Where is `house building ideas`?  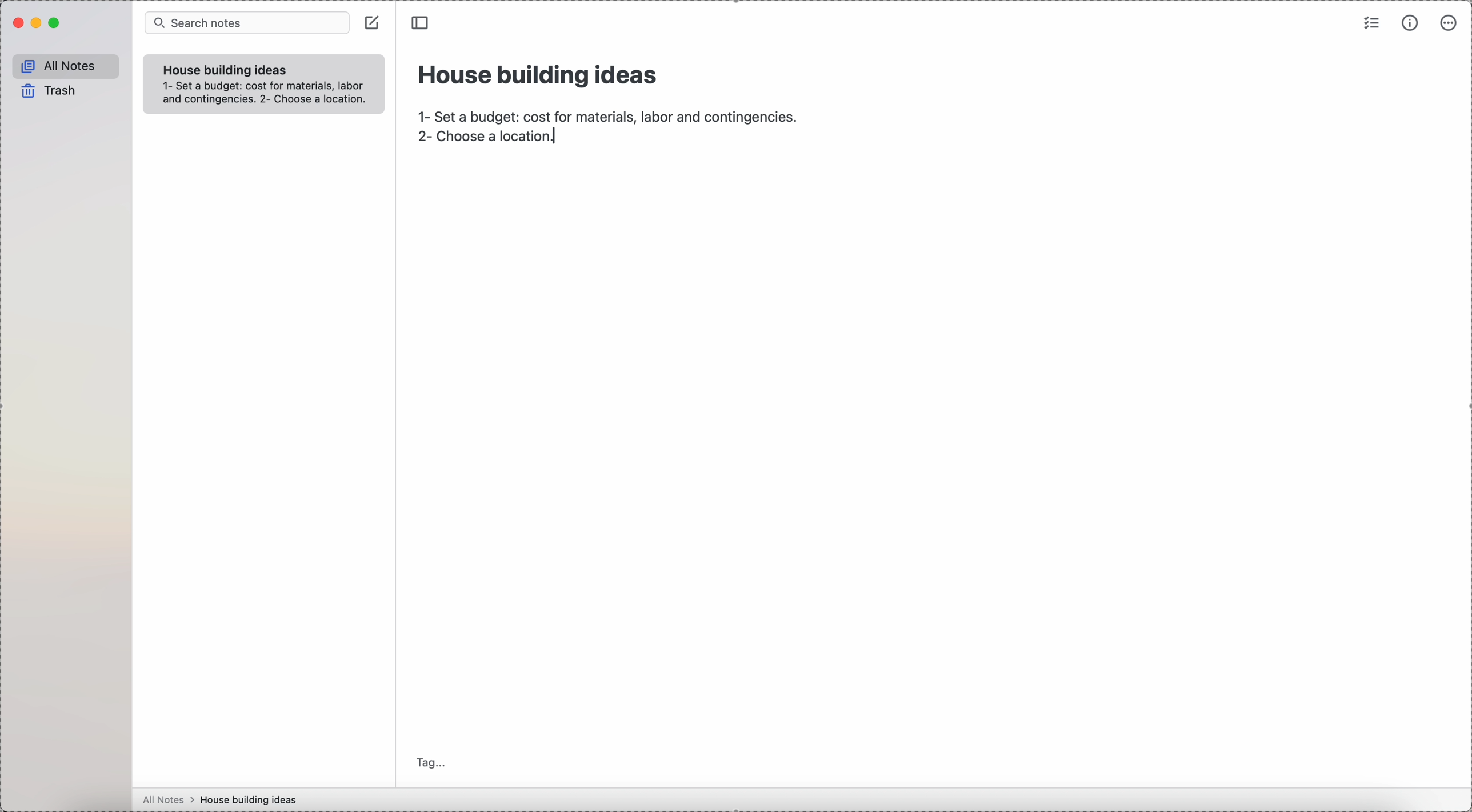
house building ideas is located at coordinates (252, 799).